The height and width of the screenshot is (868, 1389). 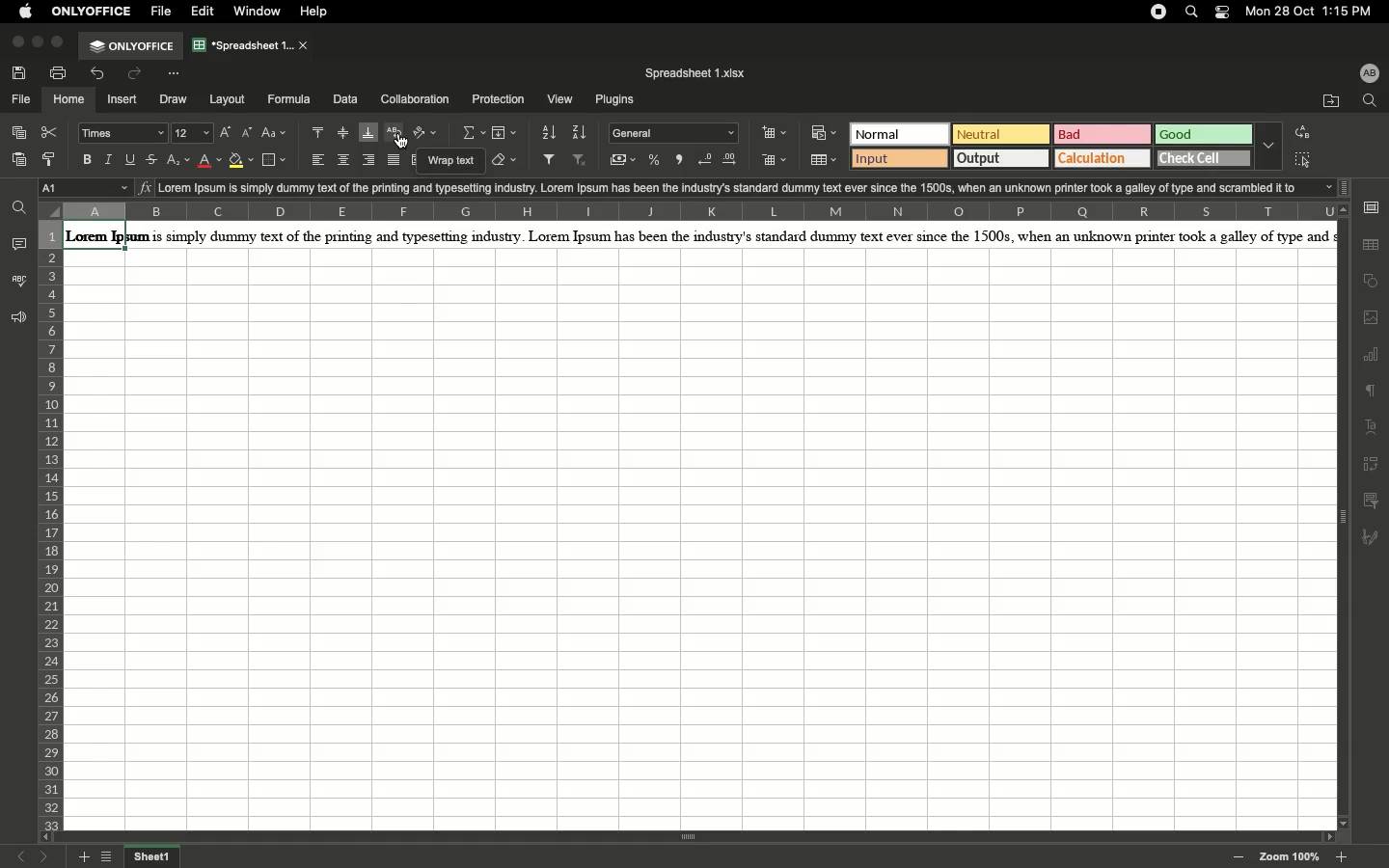 I want to click on Wrap text, so click(x=398, y=135).